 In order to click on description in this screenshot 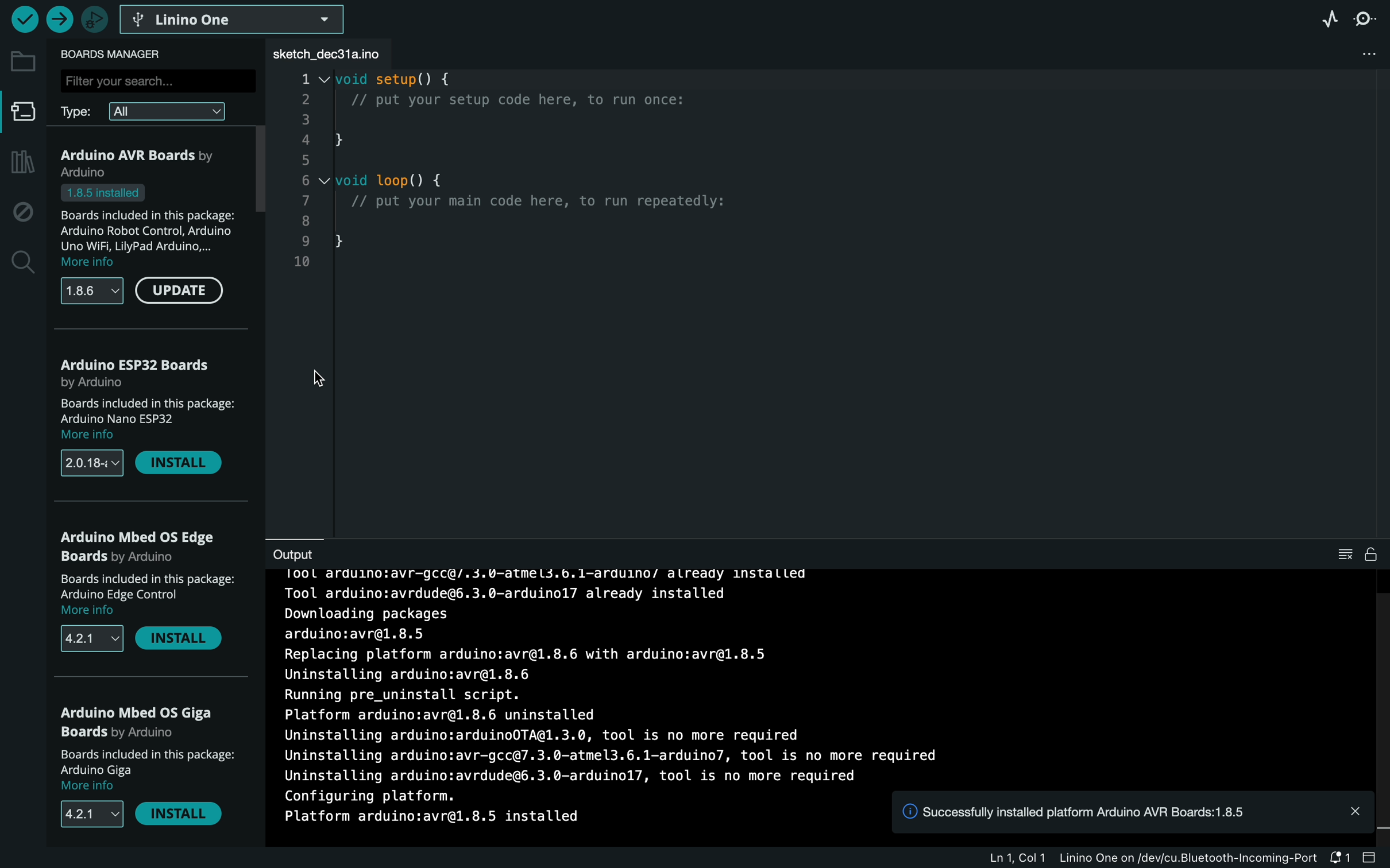, I will do `click(150, 596)`.